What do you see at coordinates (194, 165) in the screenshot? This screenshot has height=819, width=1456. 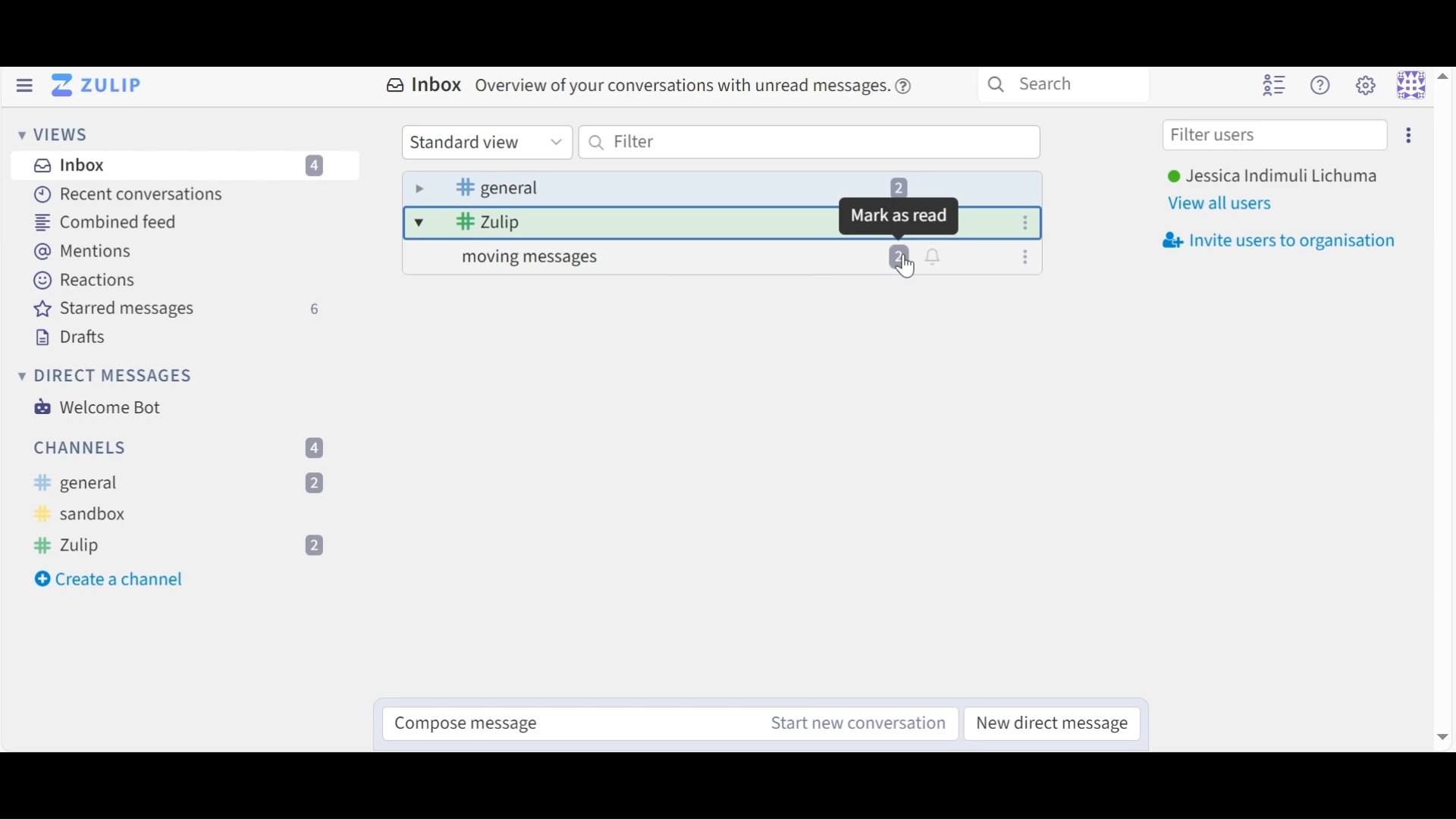 I see `Inbox messages` at bounding box center [194, 165].